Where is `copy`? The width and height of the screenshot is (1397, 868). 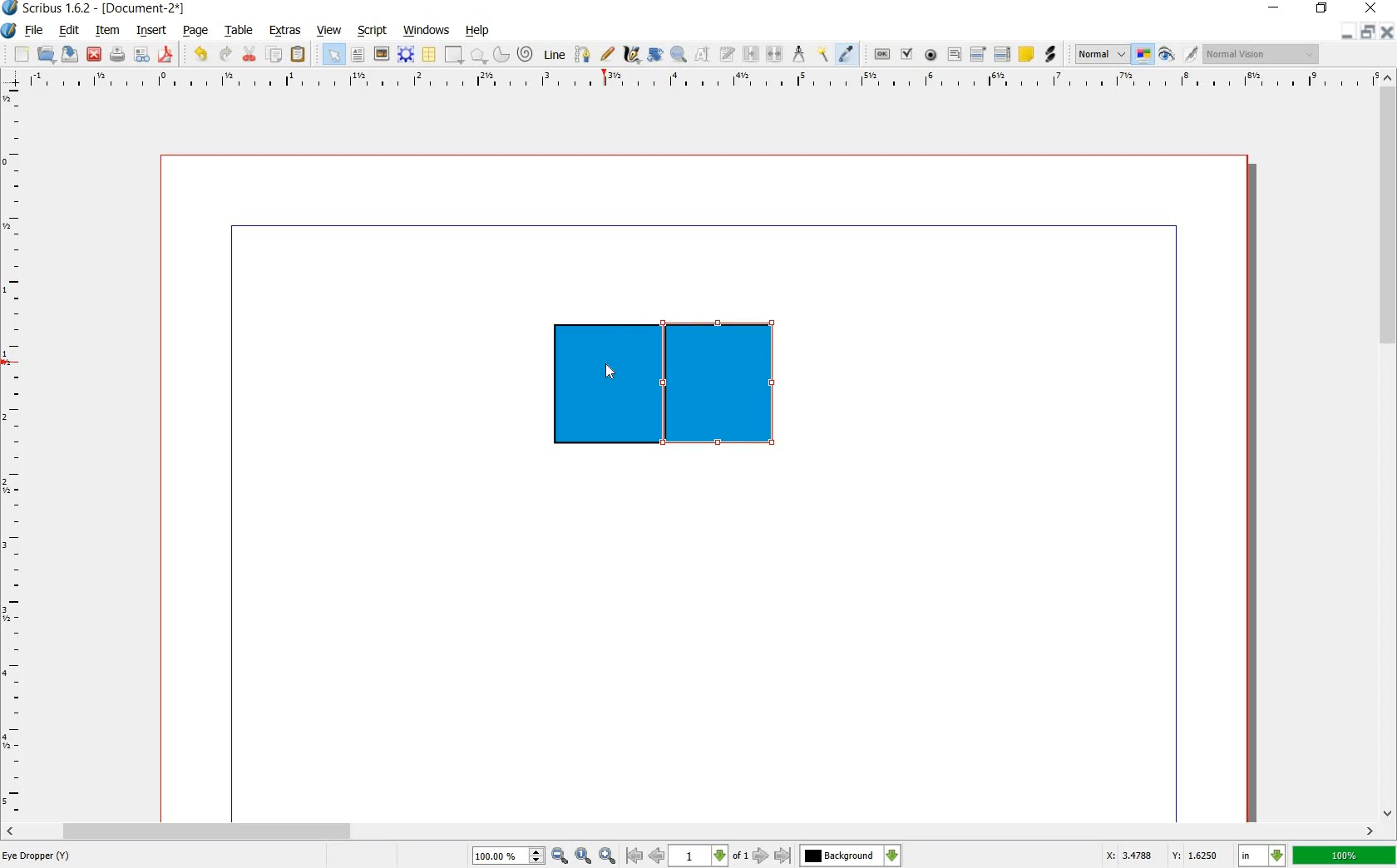 copy is located at coordinates (274, 56).